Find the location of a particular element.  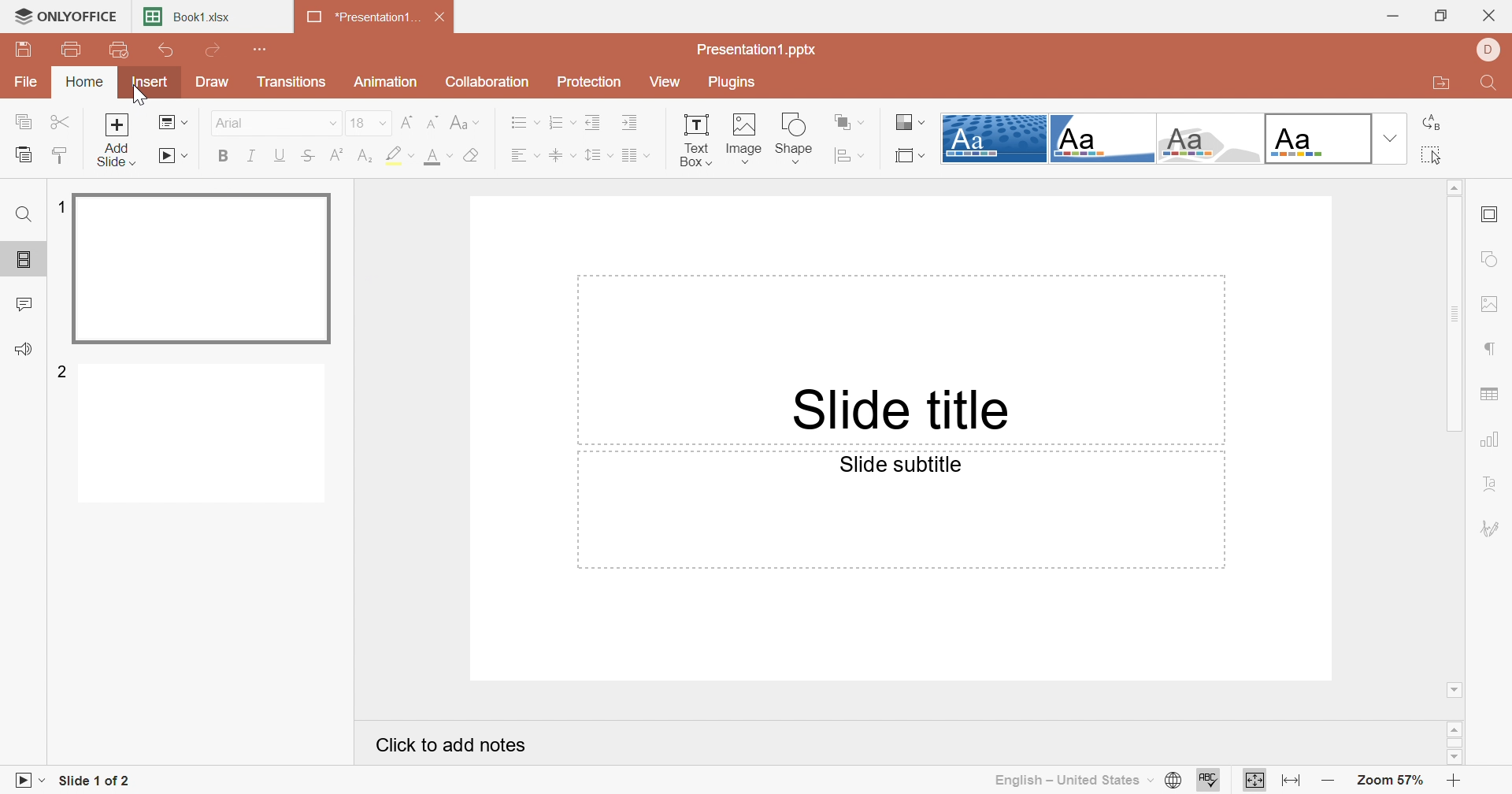

Cut is located at coordinates (65, 124).